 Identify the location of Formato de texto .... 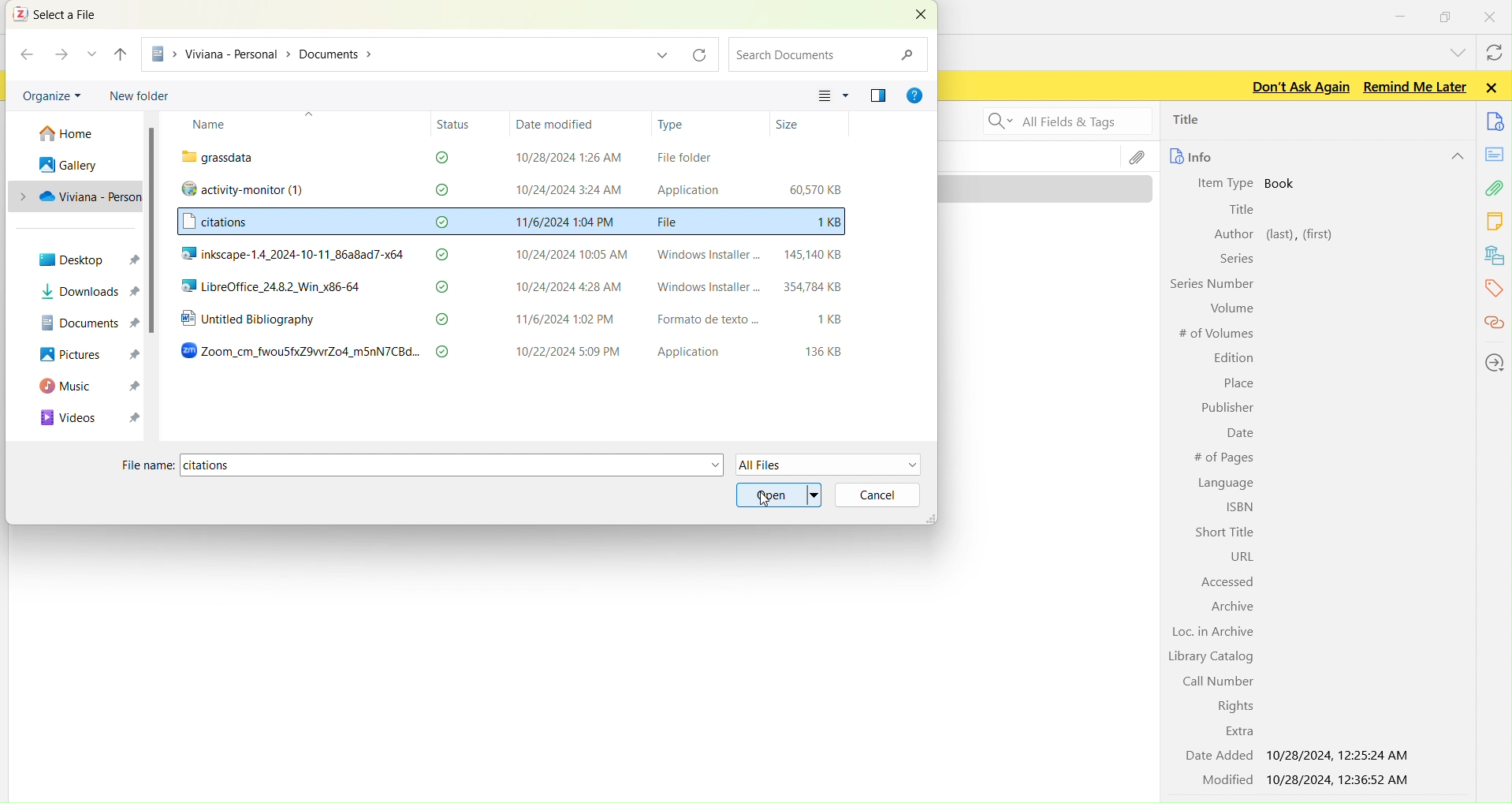
(706, 319).